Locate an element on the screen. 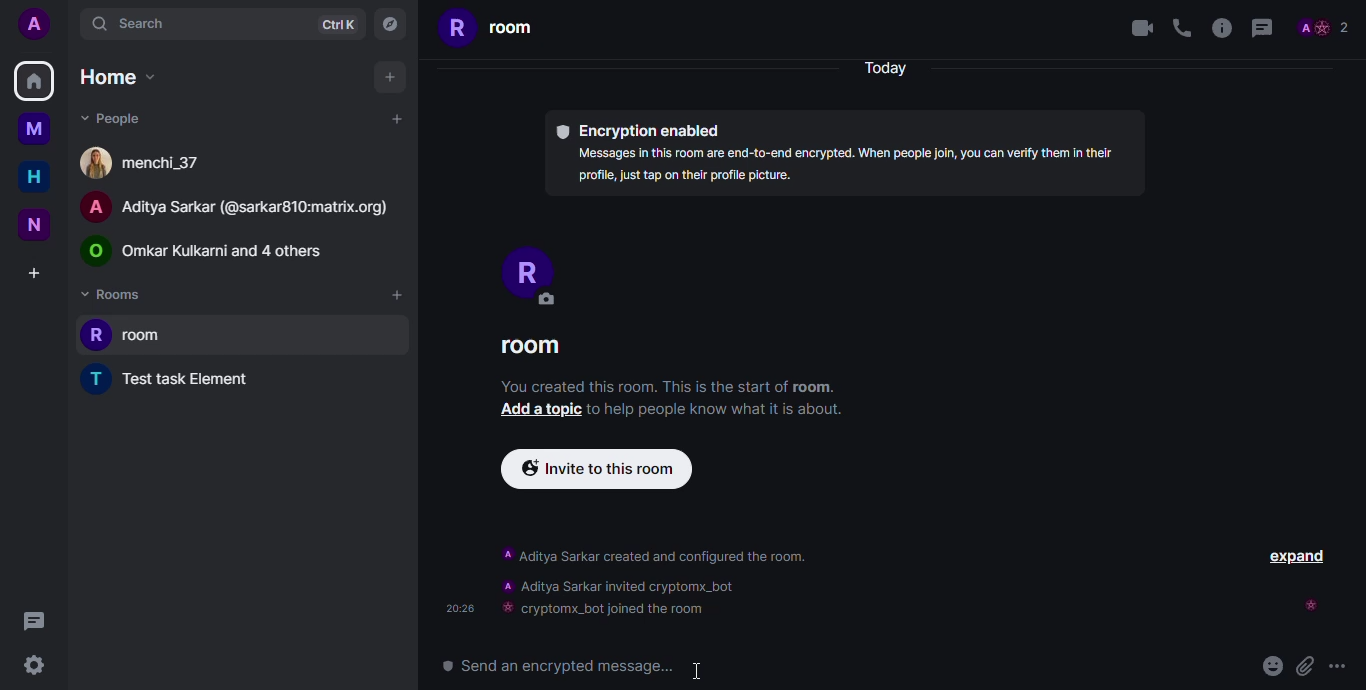 This screenshot has width=1366, height=690. voice call is located at coordinates (1183, 28).